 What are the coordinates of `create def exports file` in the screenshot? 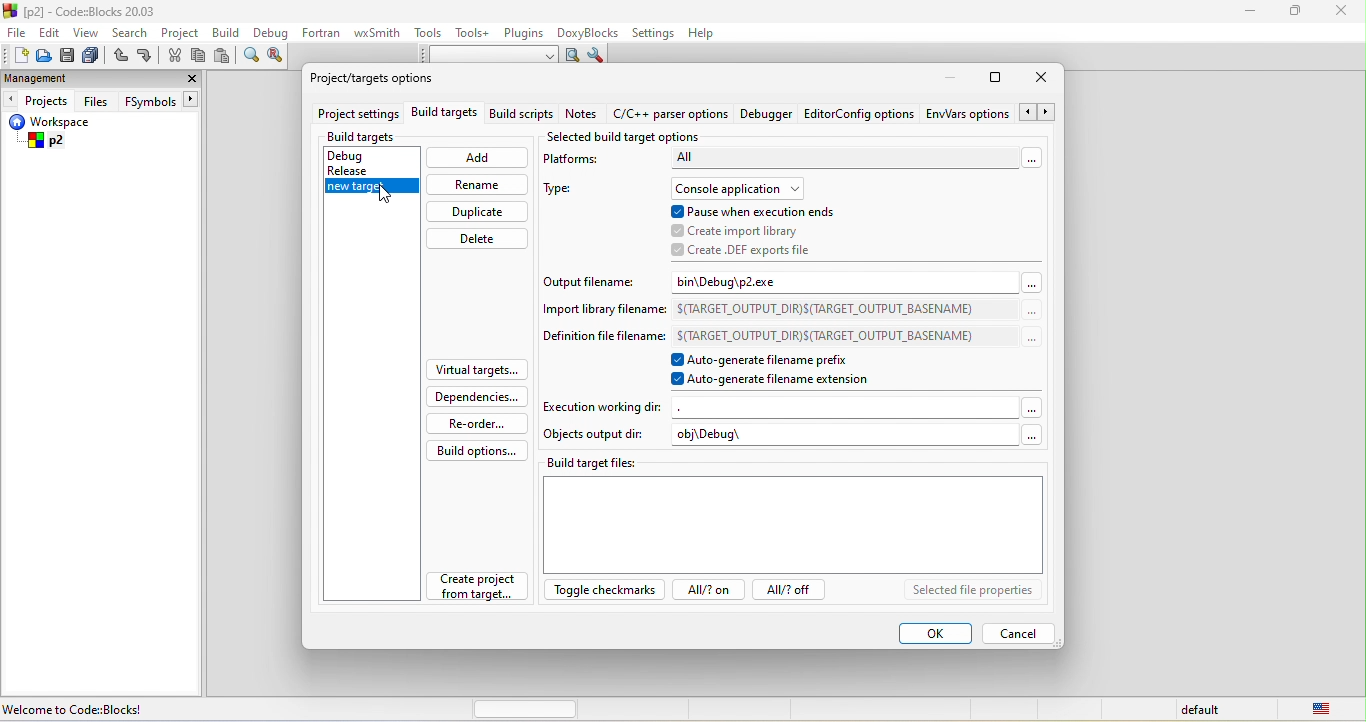 It's located at (744, 250).